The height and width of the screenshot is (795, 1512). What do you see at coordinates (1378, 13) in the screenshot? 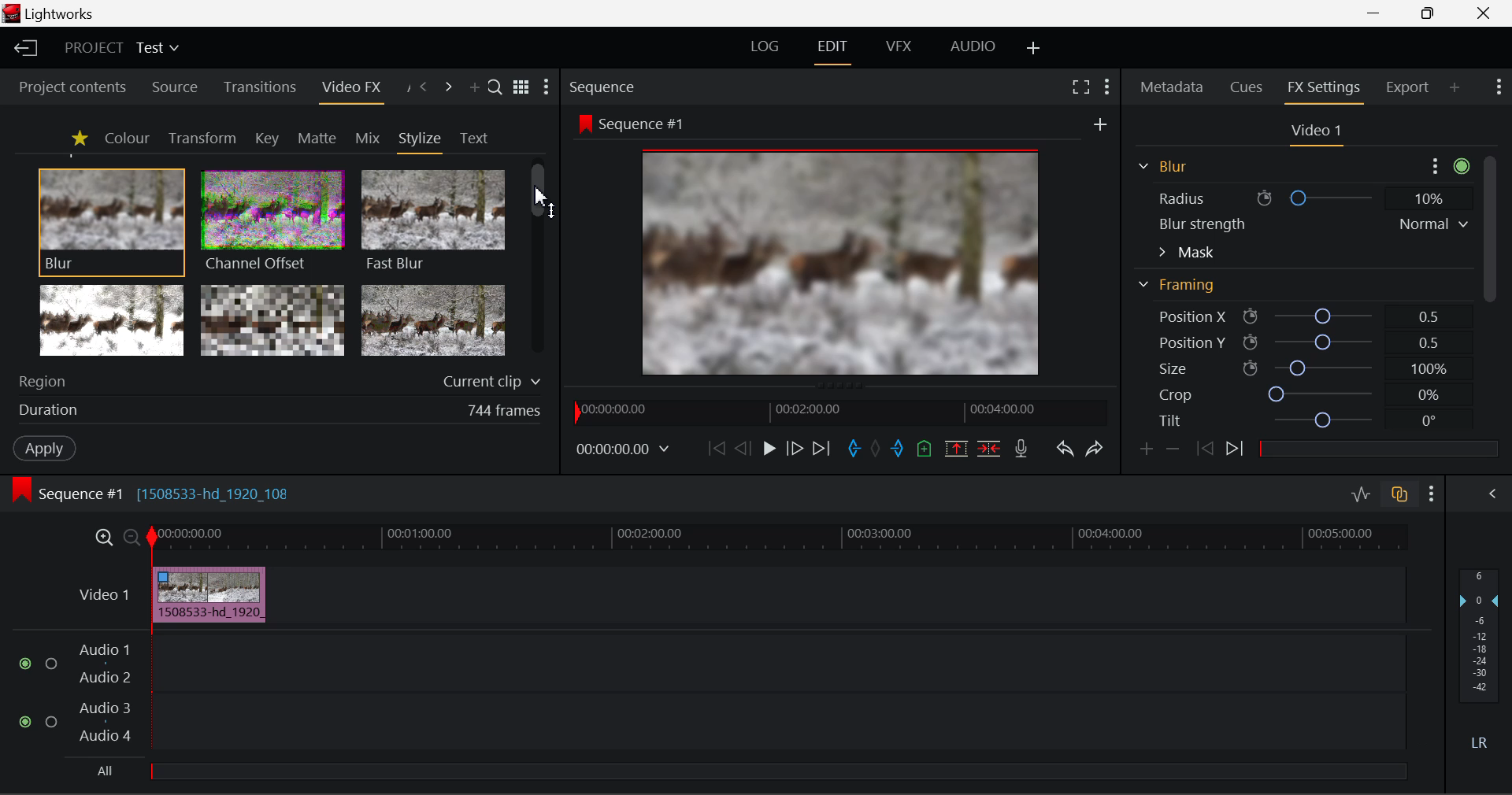
I see `Restore Down` at bounding box center [1378, 13].